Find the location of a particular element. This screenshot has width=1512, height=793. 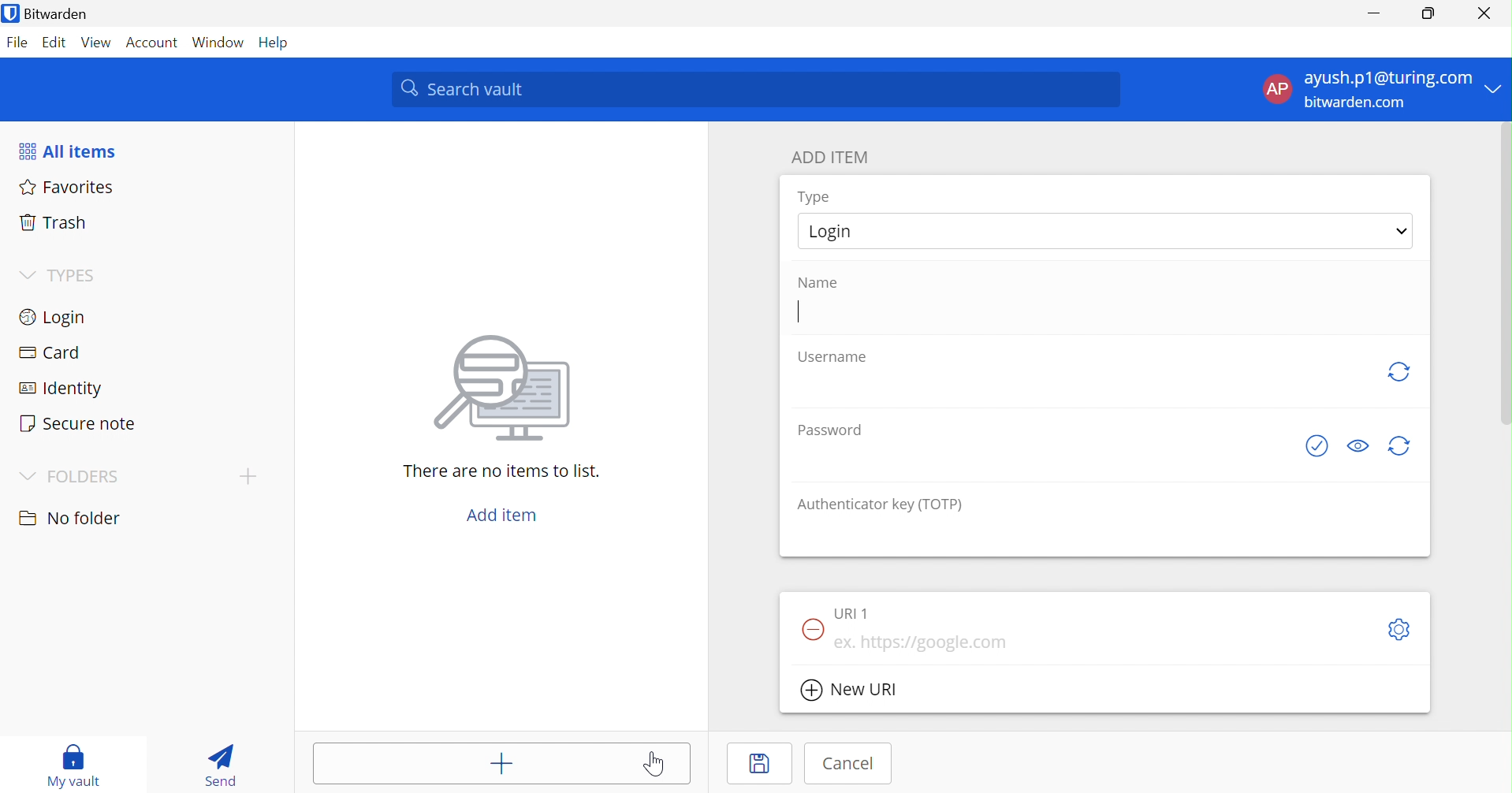

Add item is located at coordinates (505, 515).